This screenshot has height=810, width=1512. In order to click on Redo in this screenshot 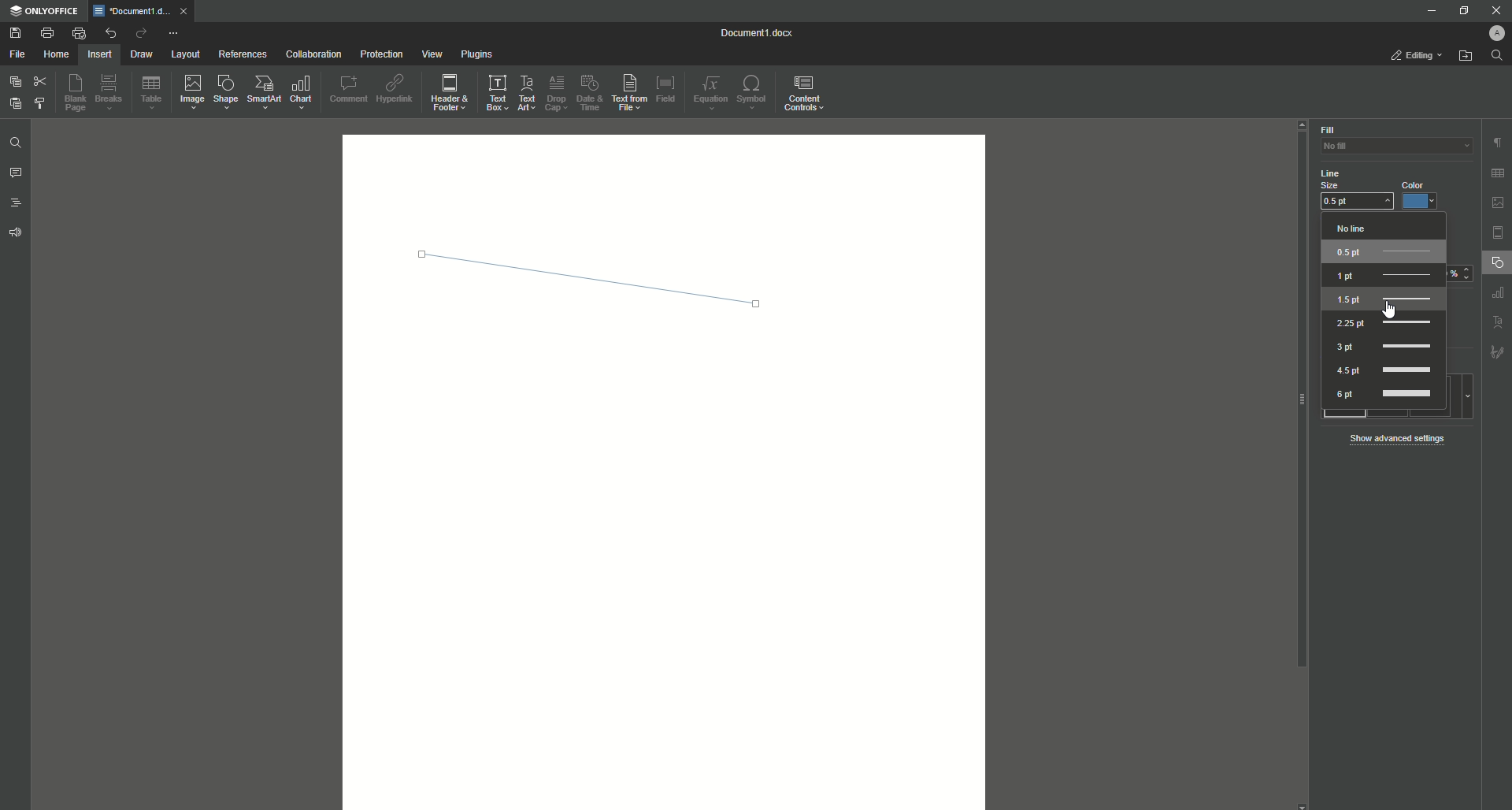, I will do `click(139, 34)`.